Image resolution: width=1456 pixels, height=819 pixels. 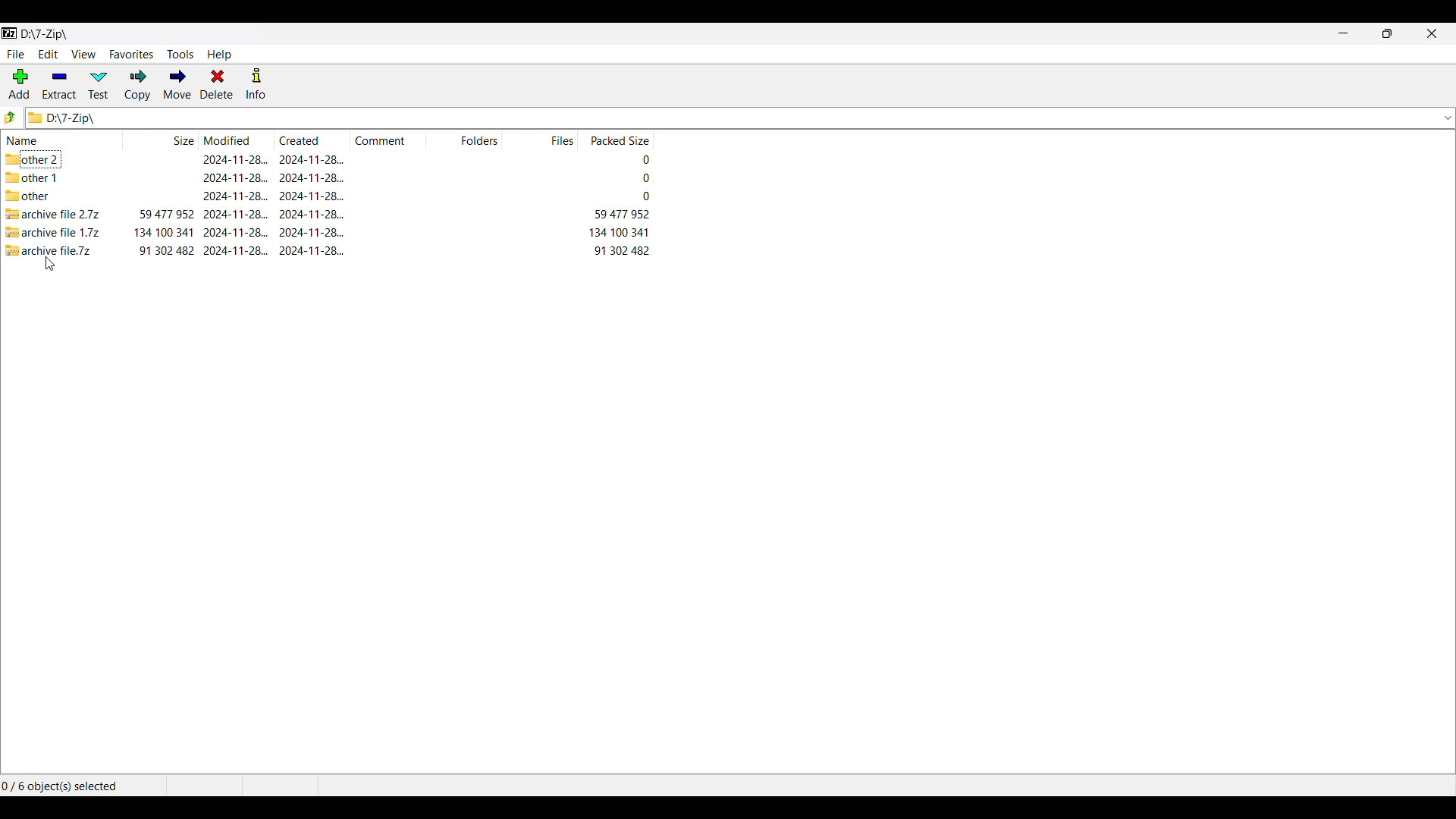 What do you see at coordinates (621, 214) in the screenshot?
I see `packed size` at bounding box center [621, 214].